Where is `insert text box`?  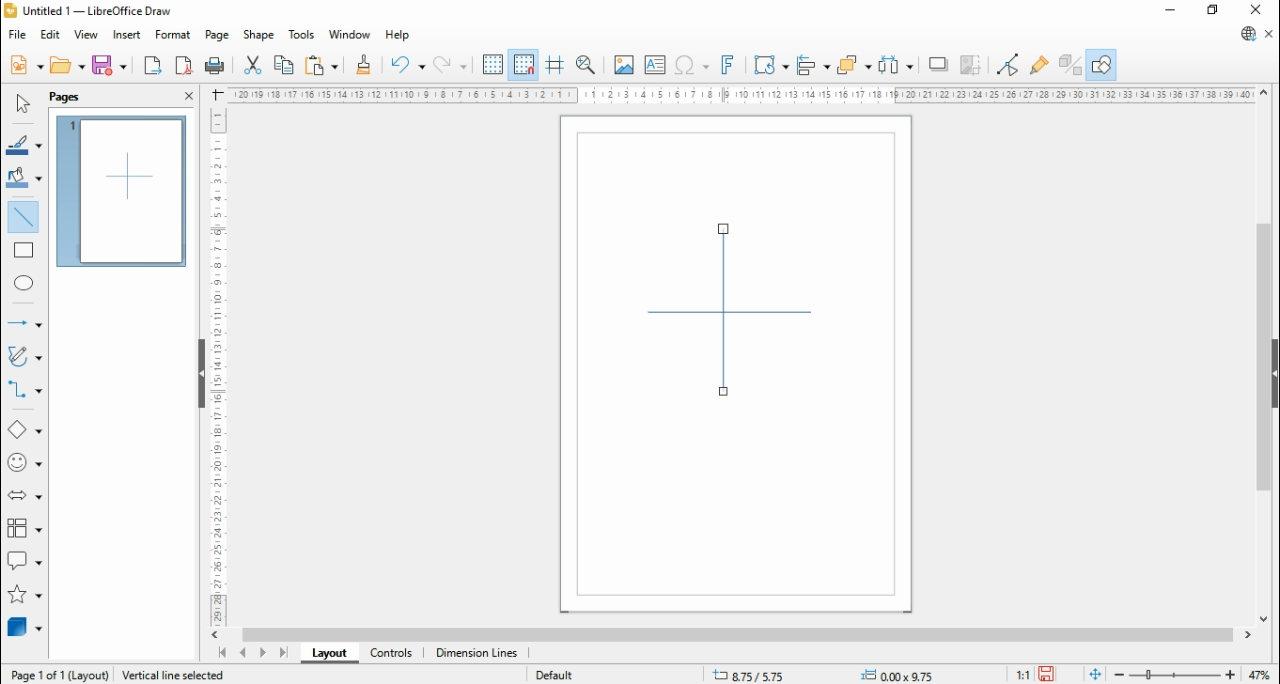 insert text box is located at coordinates (653, 64).